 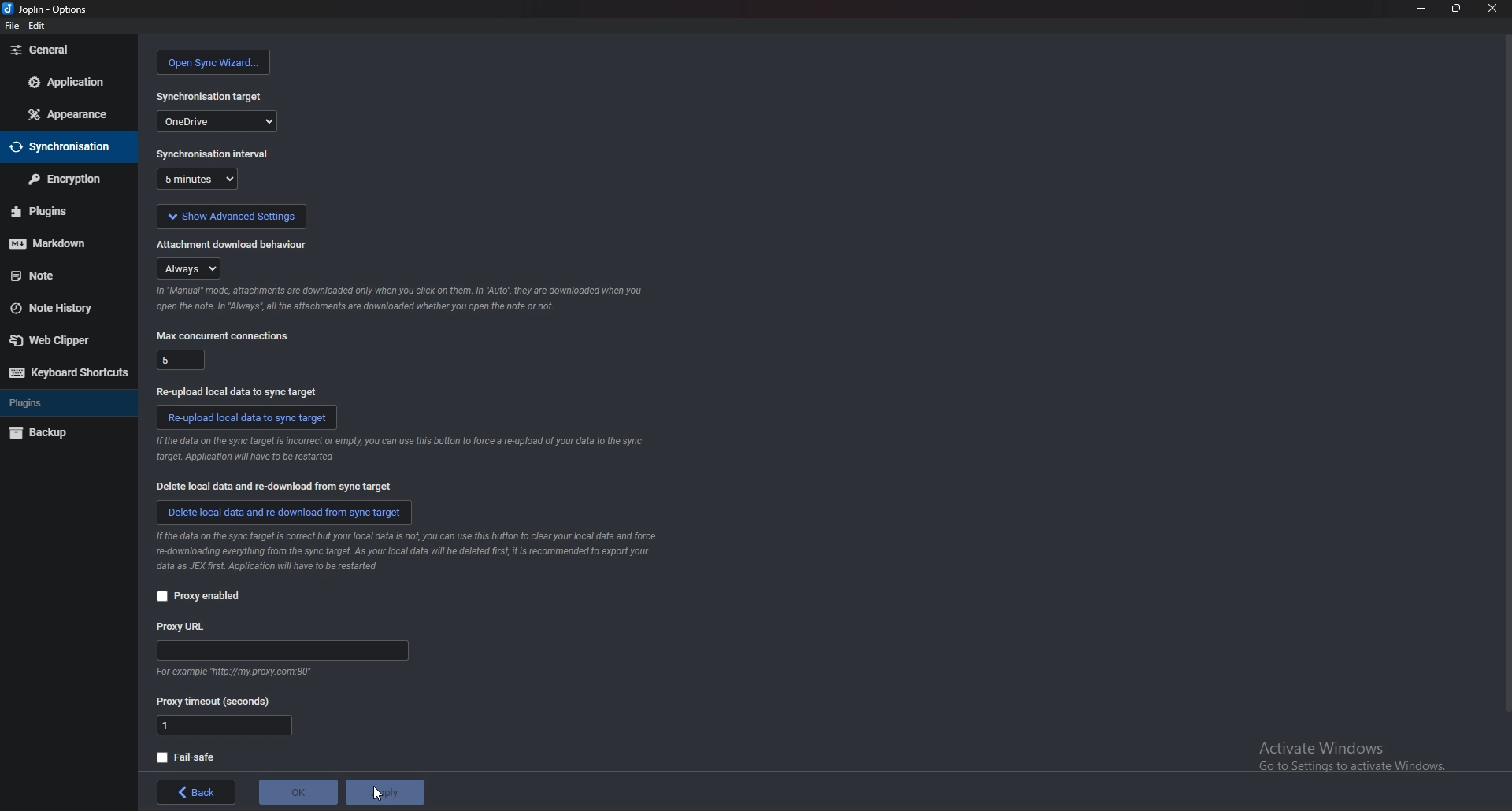 I want to click on web clipper, so click(x=63, y=340).